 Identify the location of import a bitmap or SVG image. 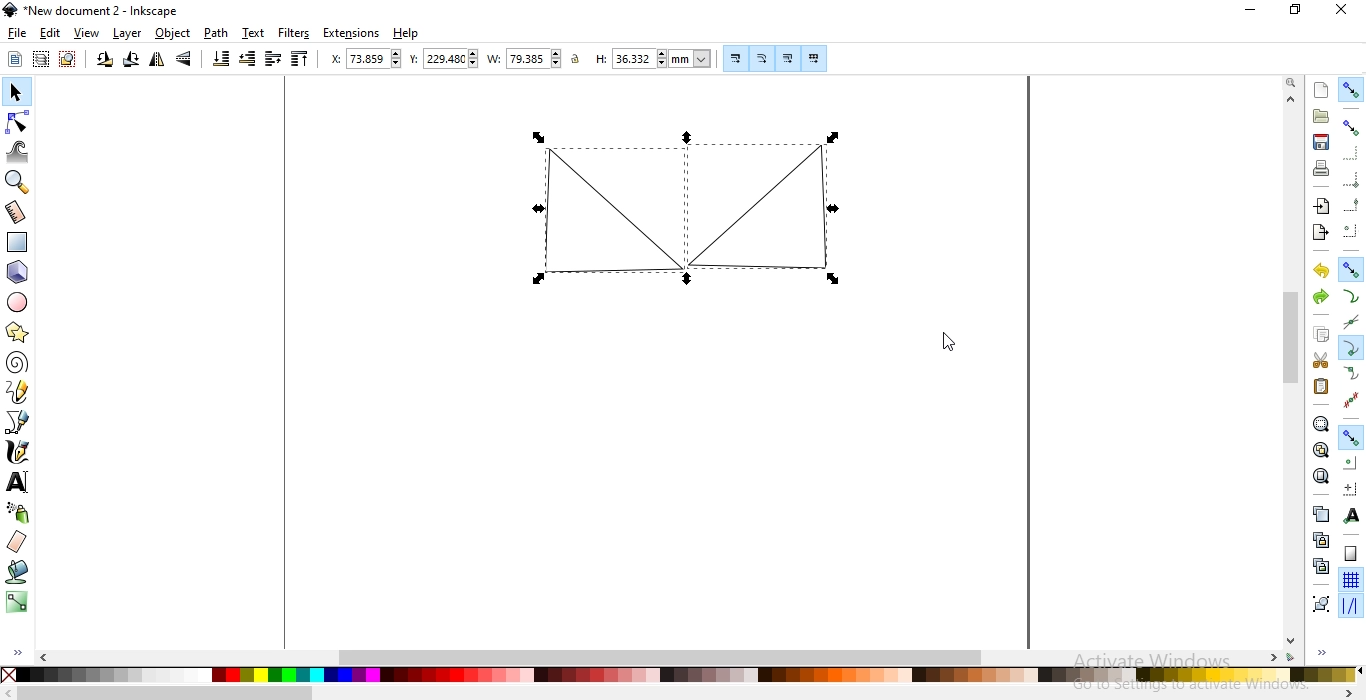
(1324, 208).